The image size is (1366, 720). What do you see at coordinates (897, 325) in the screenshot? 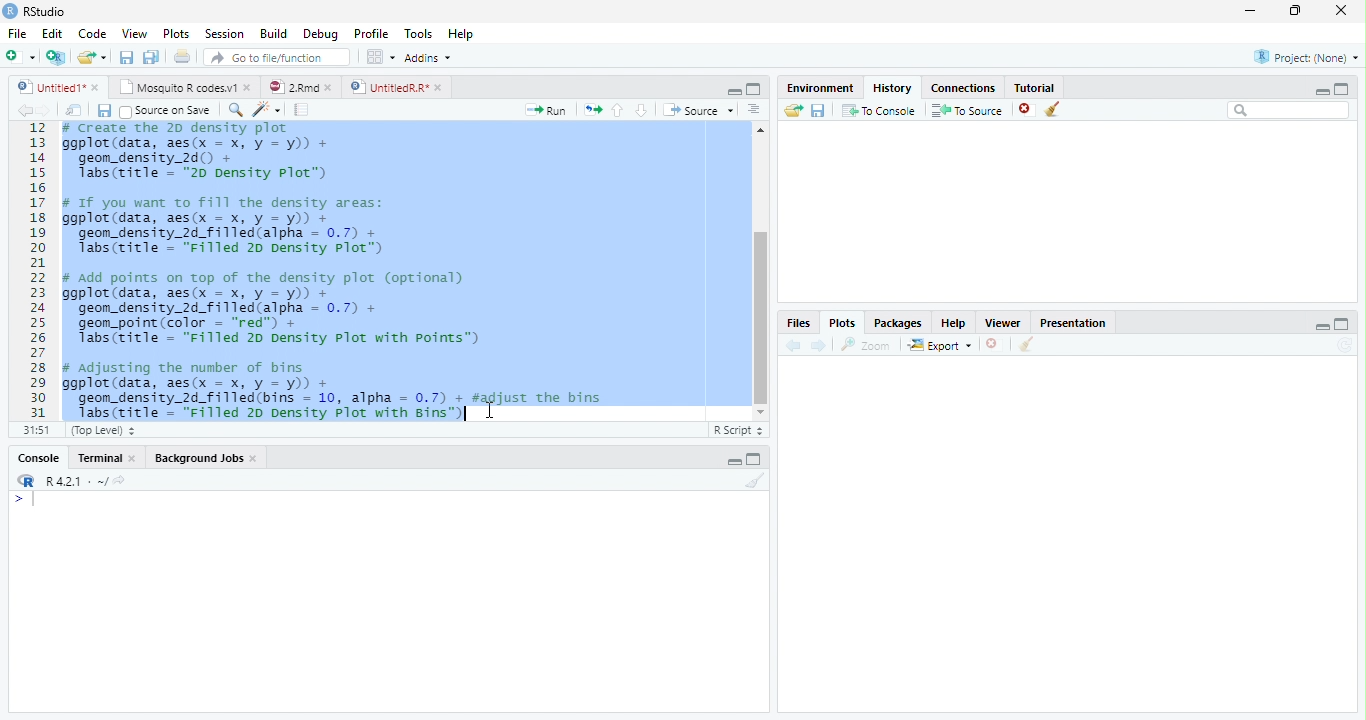
I see `Packages` at bounding box center [897, 325].